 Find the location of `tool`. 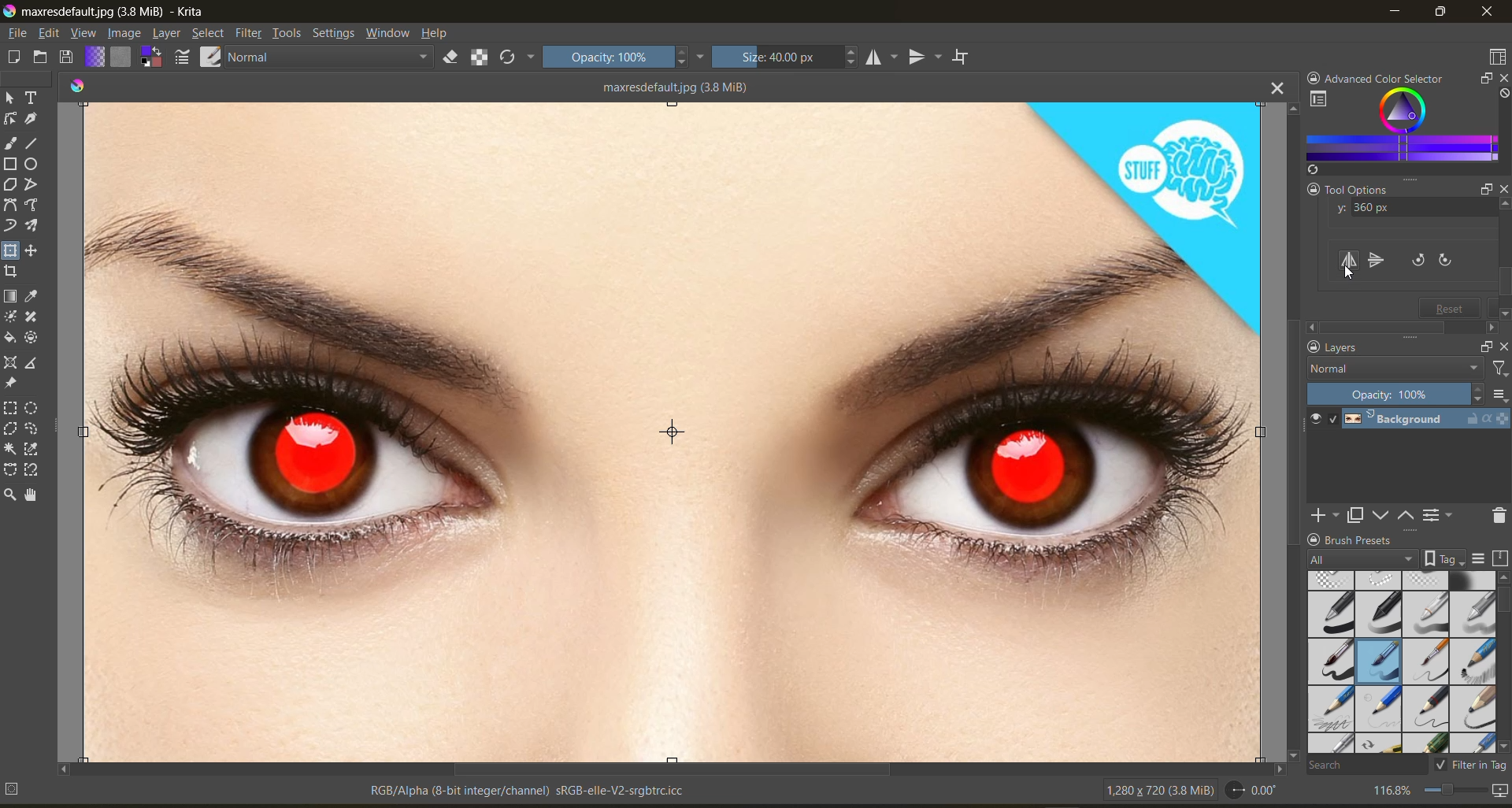

tool is located at coordinates (10, 144).